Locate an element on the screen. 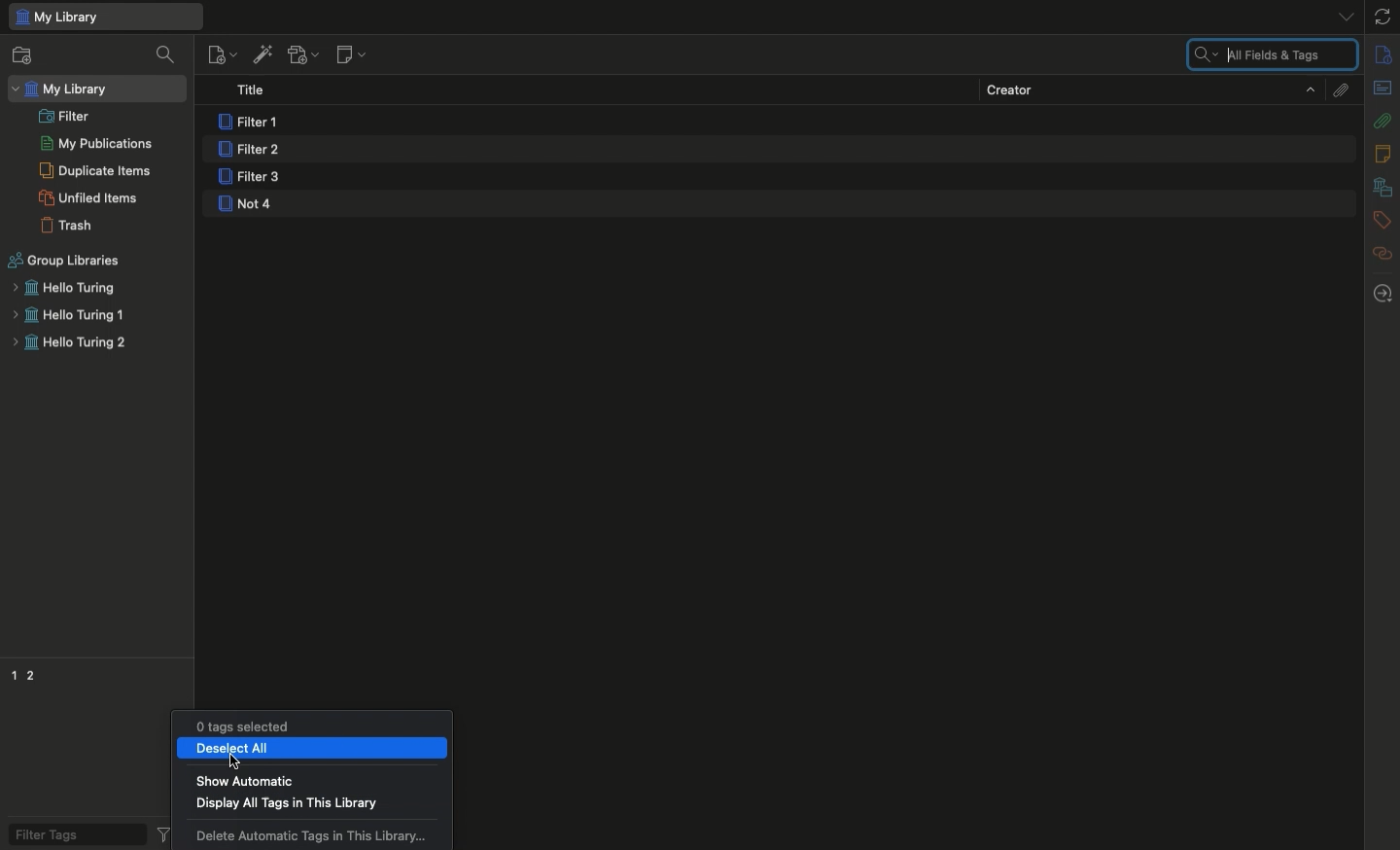 Image resolution: width=1400 pixels, height=850 pixels. Libraries and collections is located at coordinates (1382, 189).